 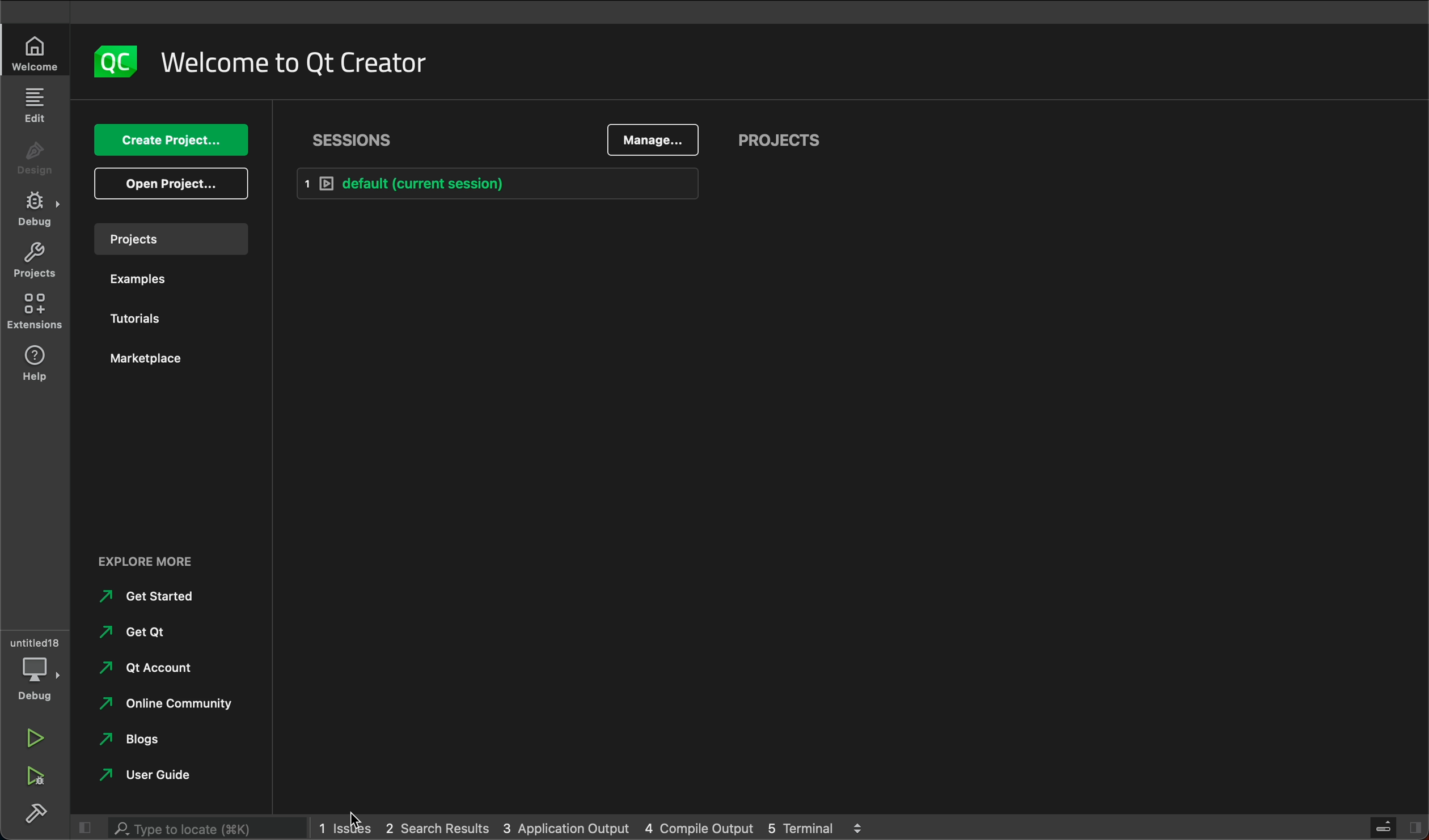 I want to click on default, so click(x=500, y=184).